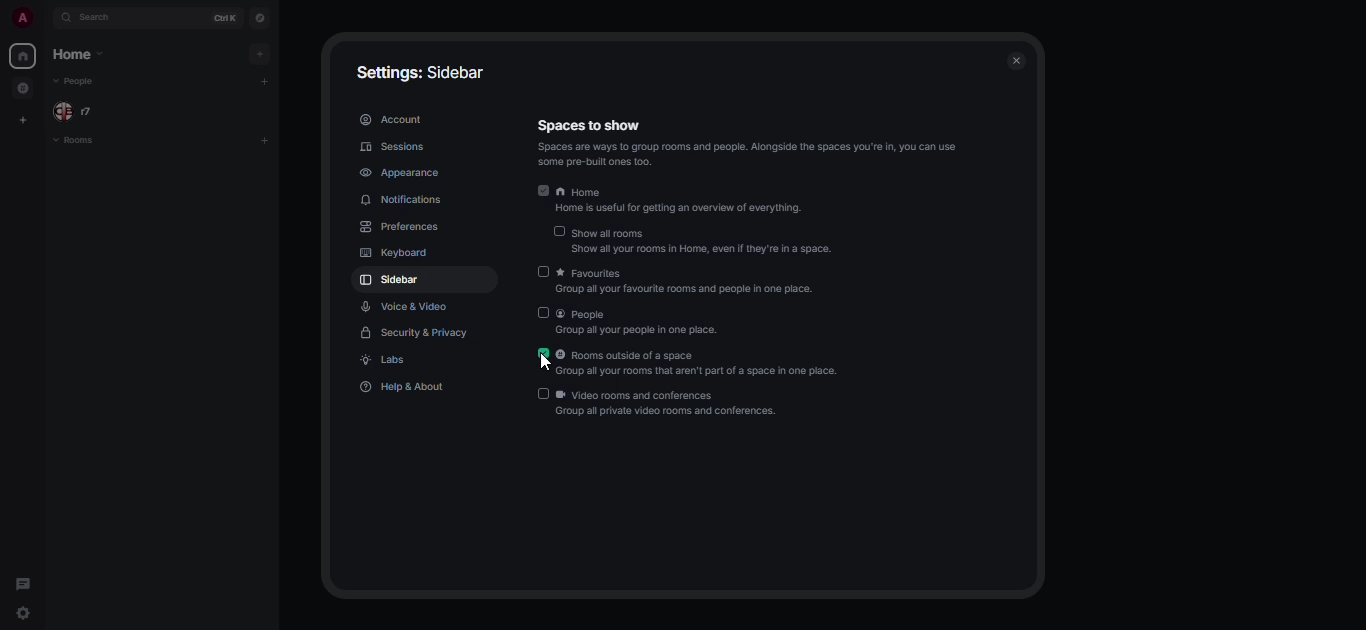 Image resolution: width=1366 pixels, height=630 pixels. What do you see at coordinates (668, 395) in the screenshot?
I see `video rooms and conferences.` at bounding box center [668, 395].